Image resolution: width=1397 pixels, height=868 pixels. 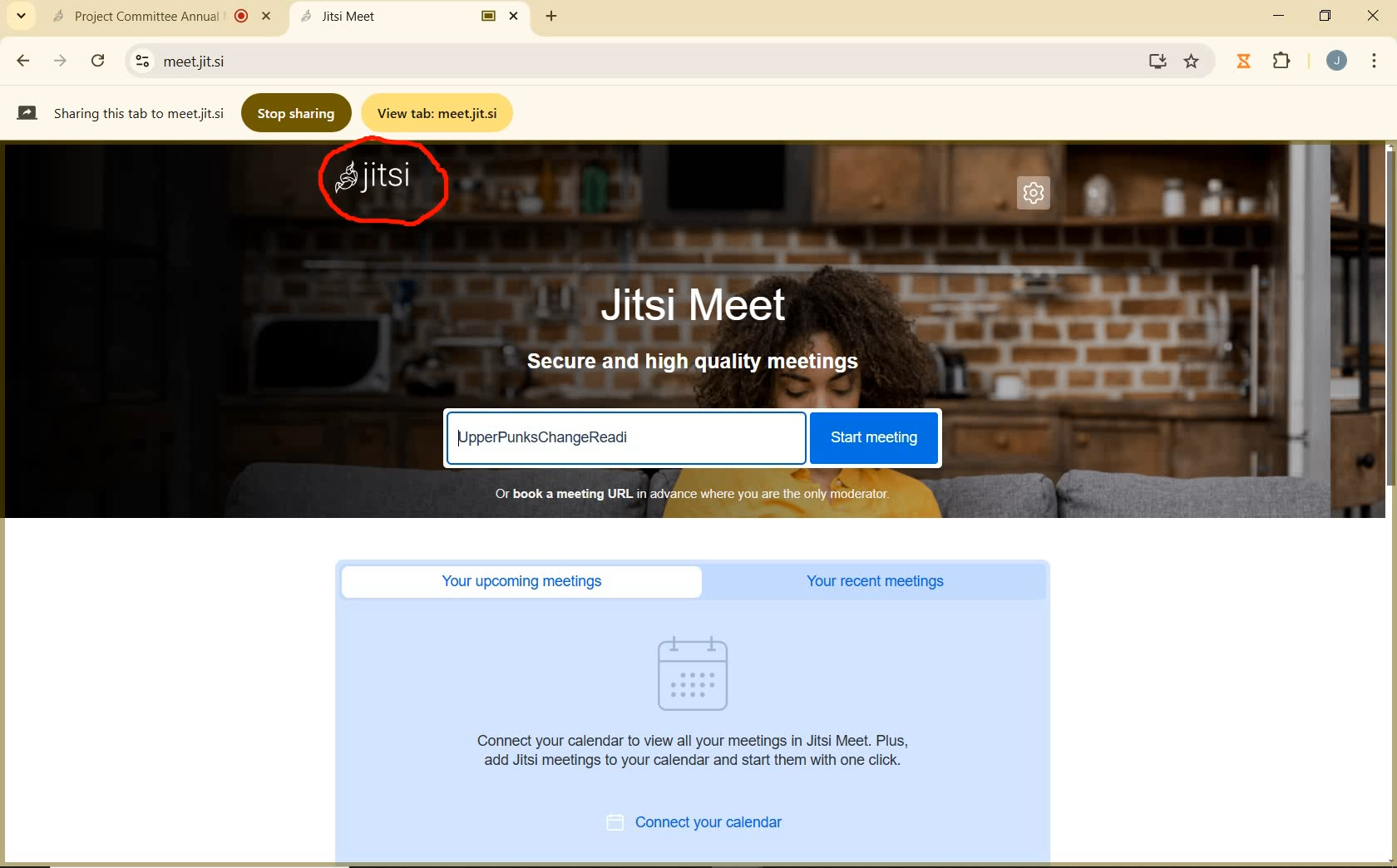 What do you see at coordinates (881, 582) in the screenshot?
I see `YOUR RECENT MEETINGS` at bounding box center [881, 582].